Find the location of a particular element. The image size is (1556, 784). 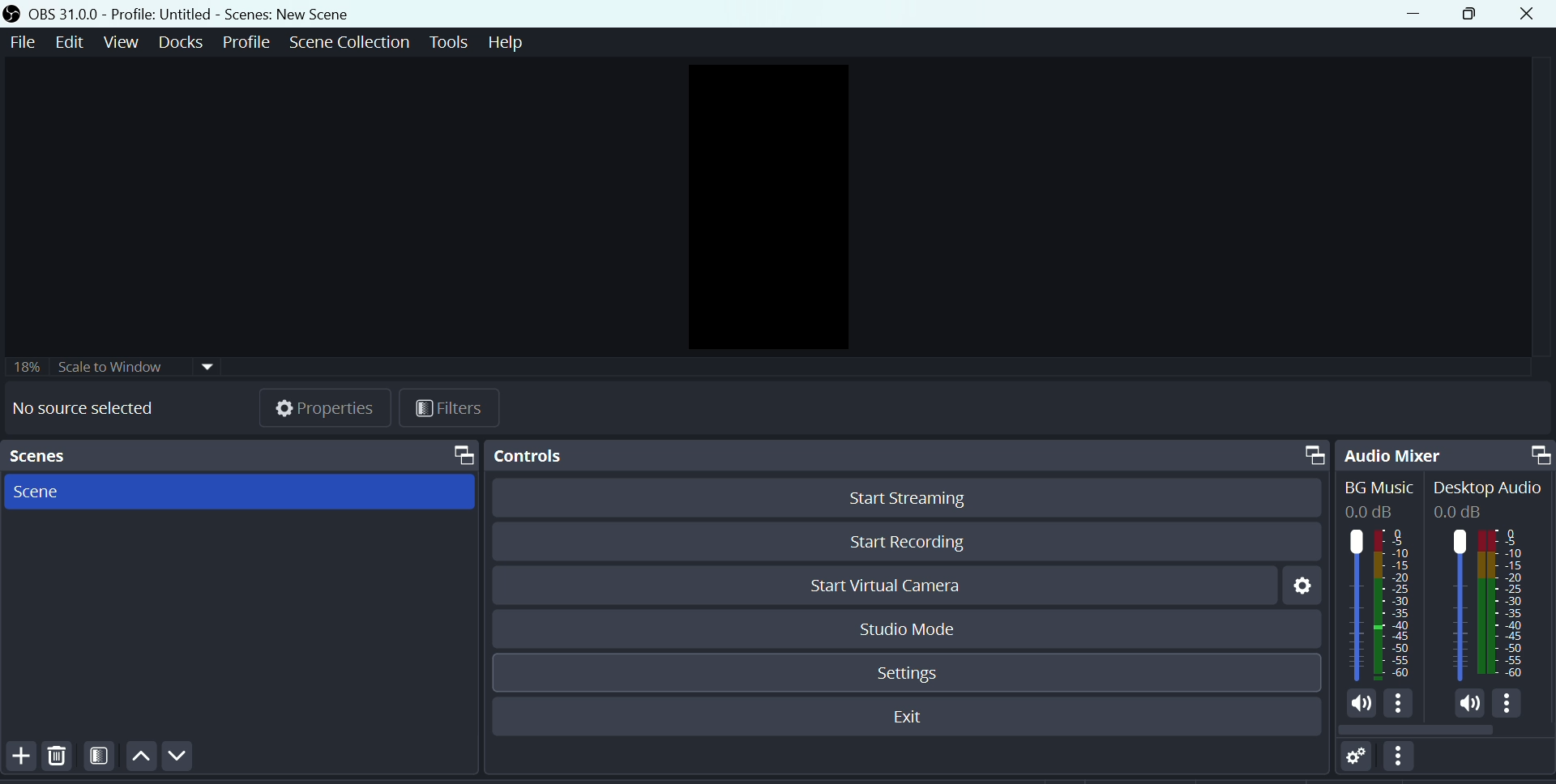

file is located at coordinates (21, 47).